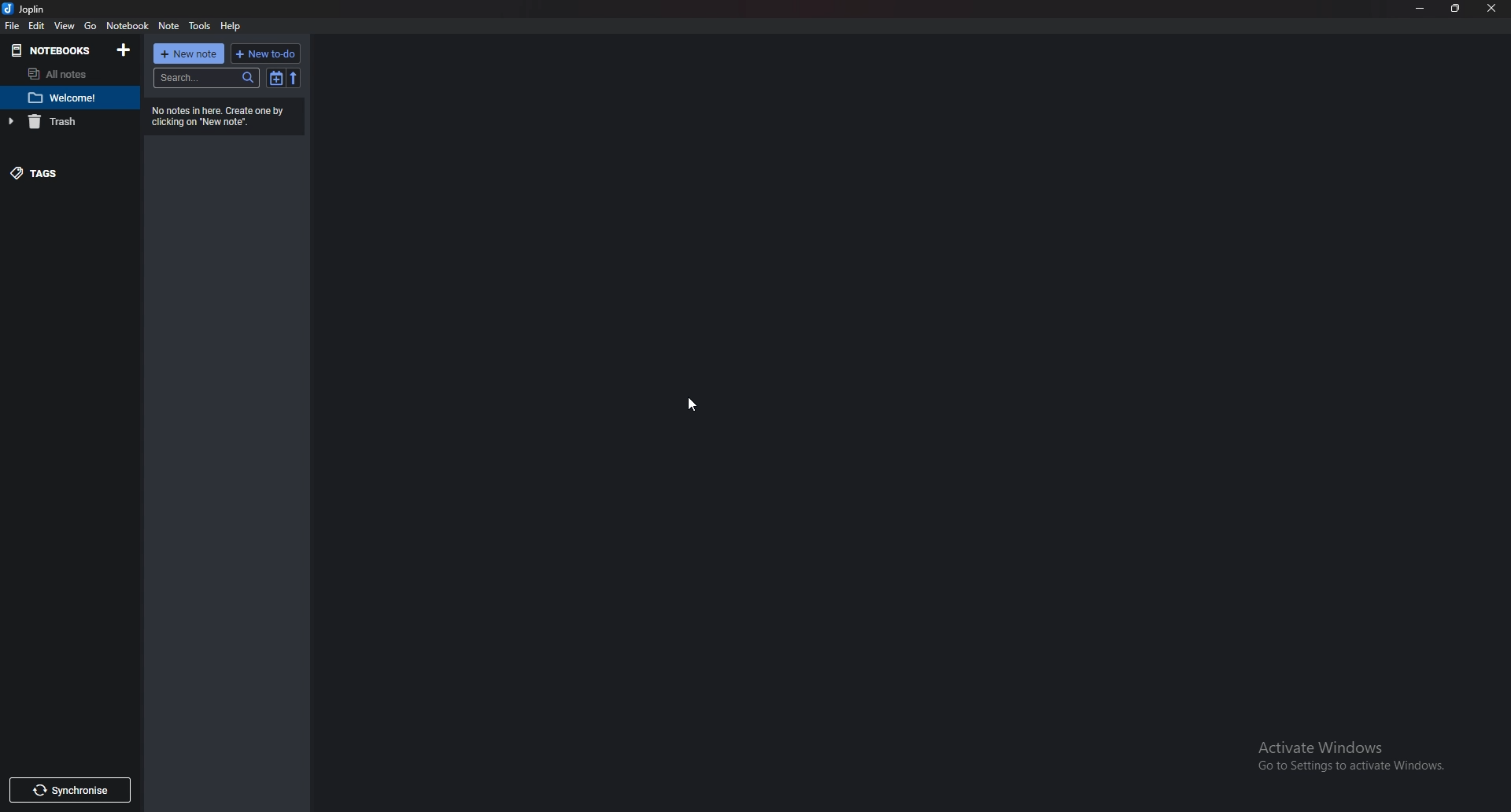 The width and height of the screenshot is (1511, 812). I want to click on Toggle sort, so click(276, 78).